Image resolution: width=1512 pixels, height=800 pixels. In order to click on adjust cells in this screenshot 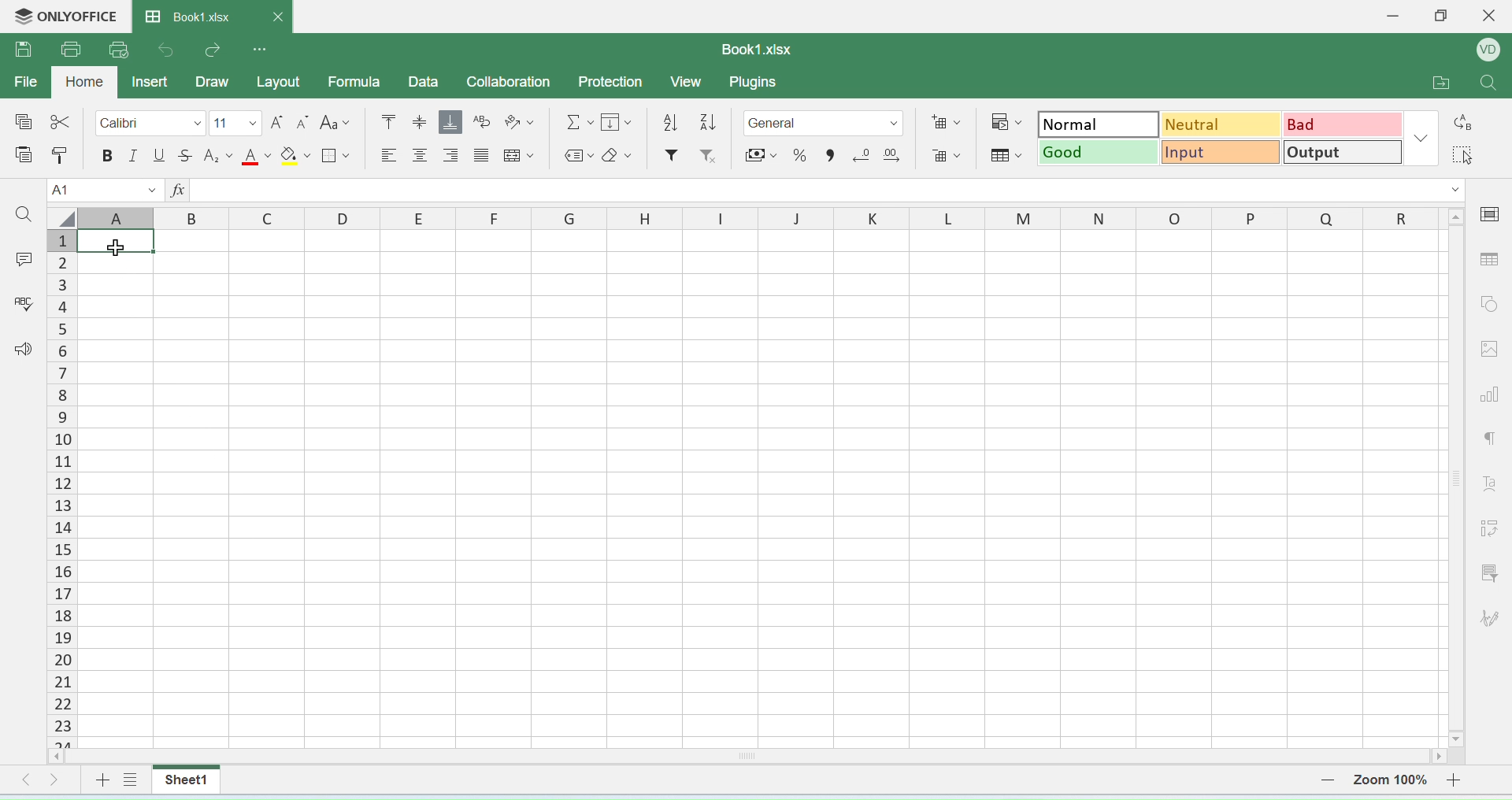, I will do `click(1490, 528)`.